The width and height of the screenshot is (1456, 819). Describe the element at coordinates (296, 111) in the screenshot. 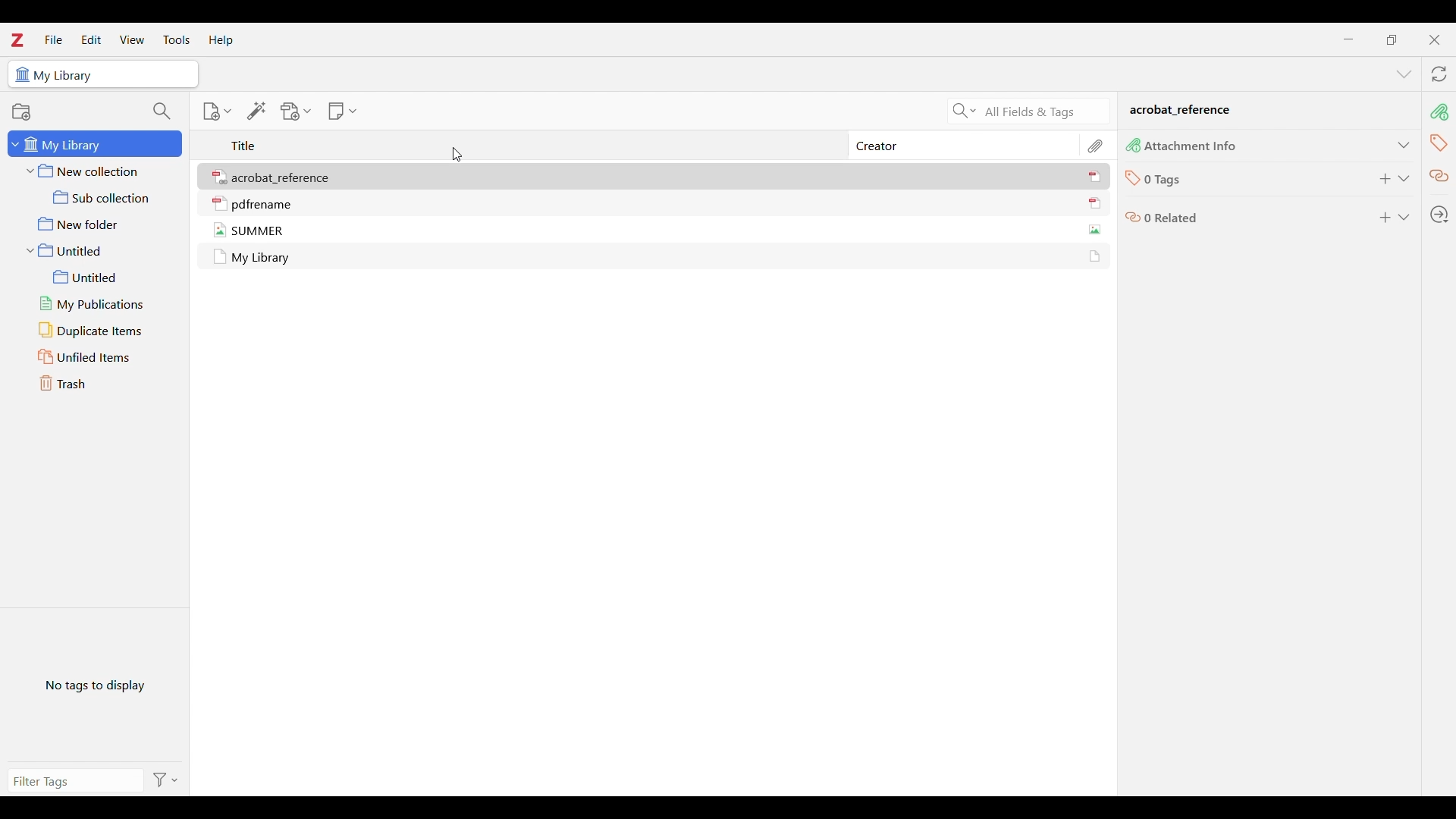

I see `Add attachment options` at that location.